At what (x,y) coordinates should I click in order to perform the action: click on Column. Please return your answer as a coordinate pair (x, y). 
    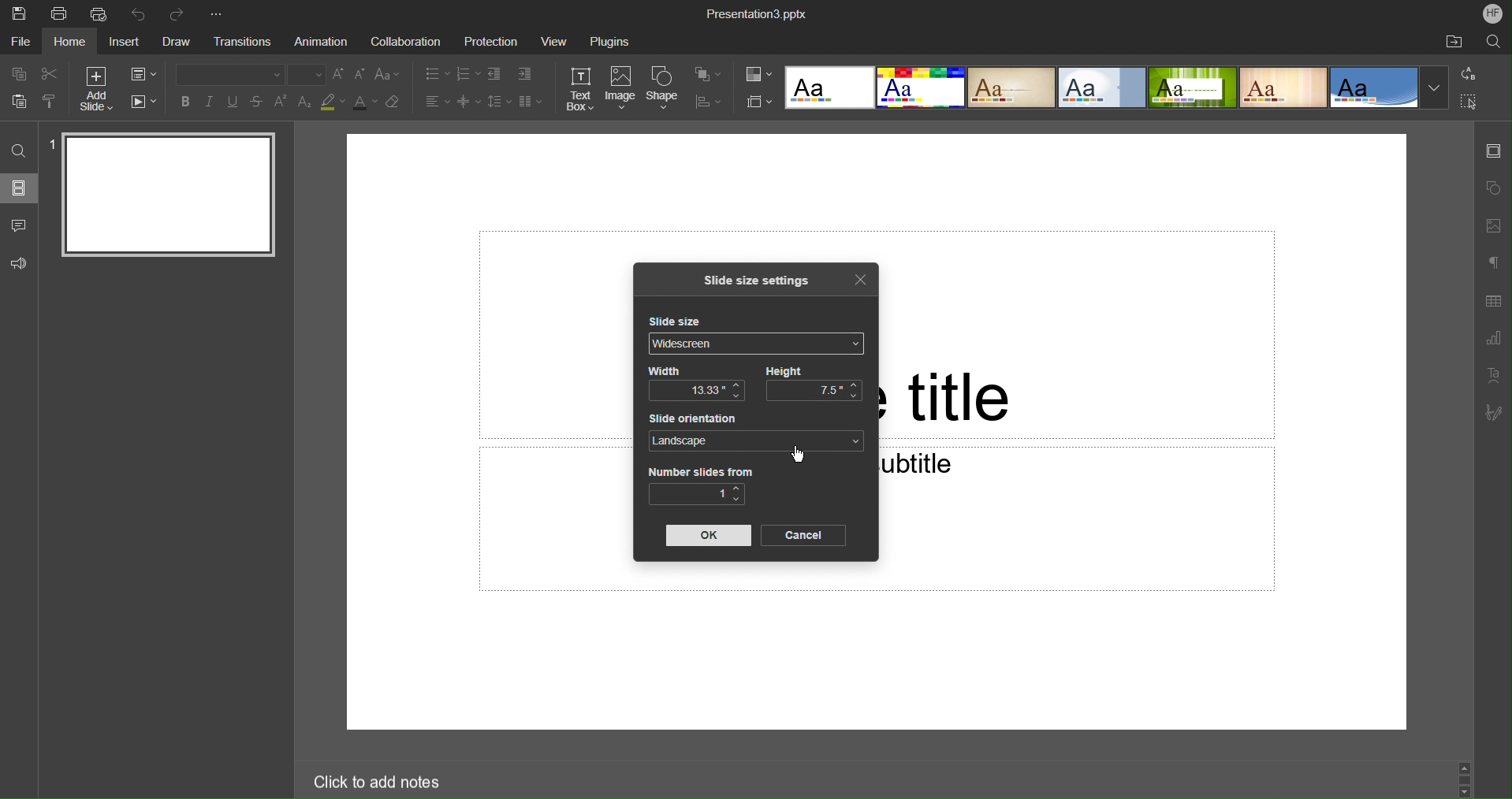
    Looking at the image, I should click on (530, 102).